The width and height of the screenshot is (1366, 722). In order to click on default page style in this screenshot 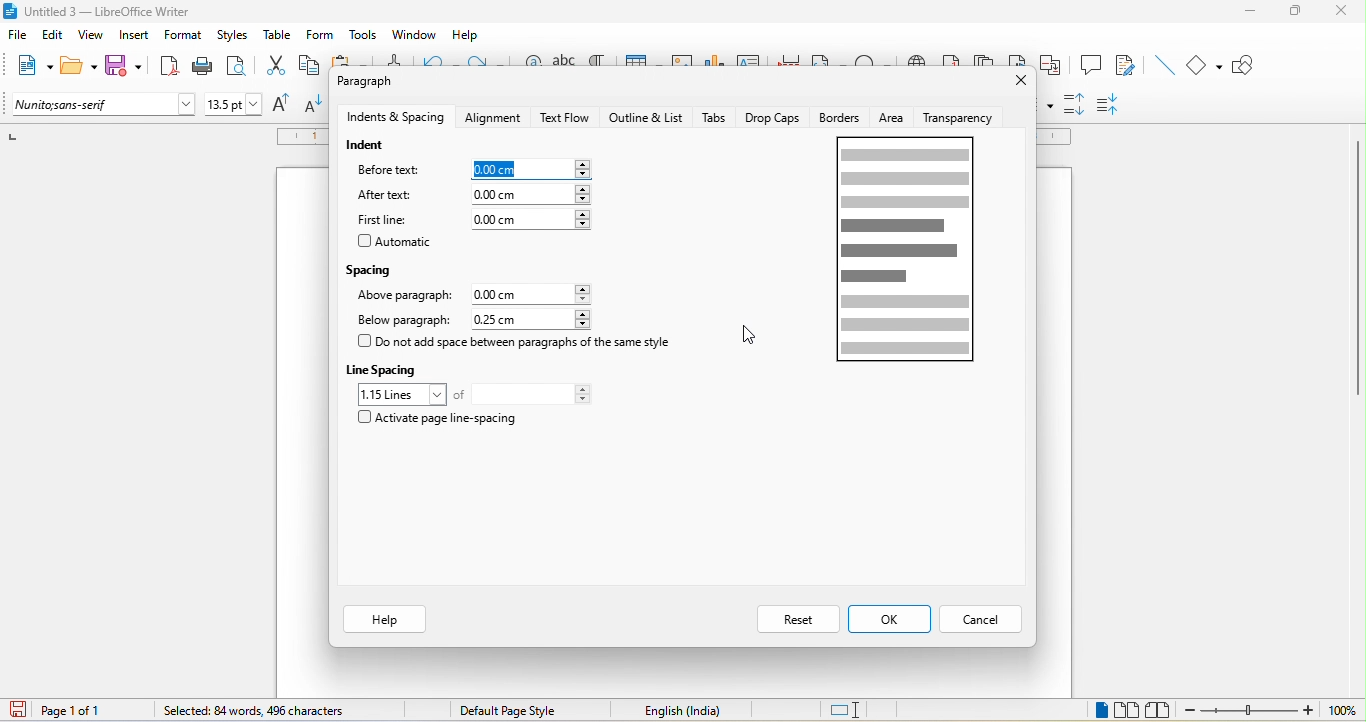, I will do `click(511, 711)`.